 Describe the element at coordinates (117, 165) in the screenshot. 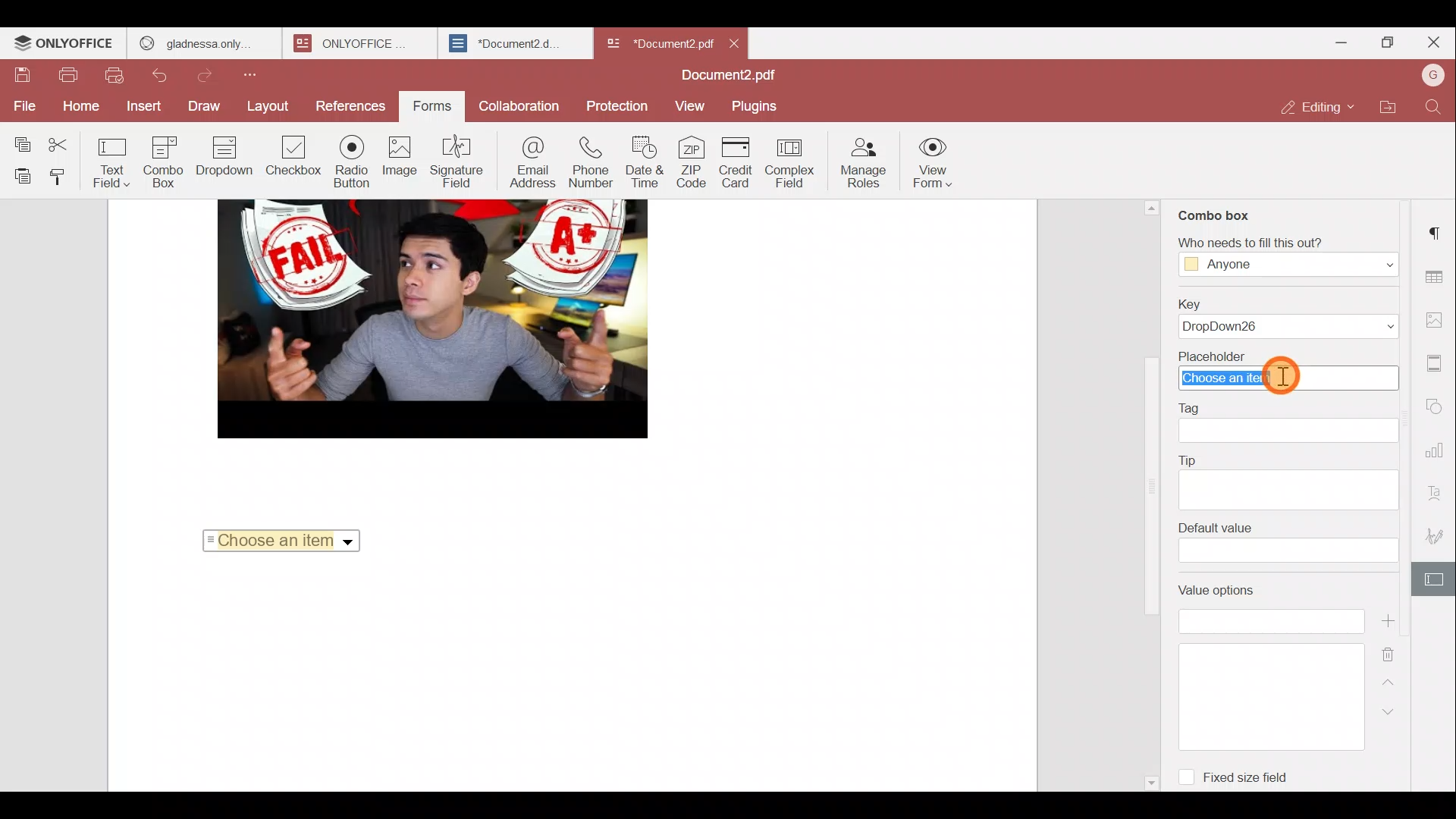

I see `Text field` at that location.